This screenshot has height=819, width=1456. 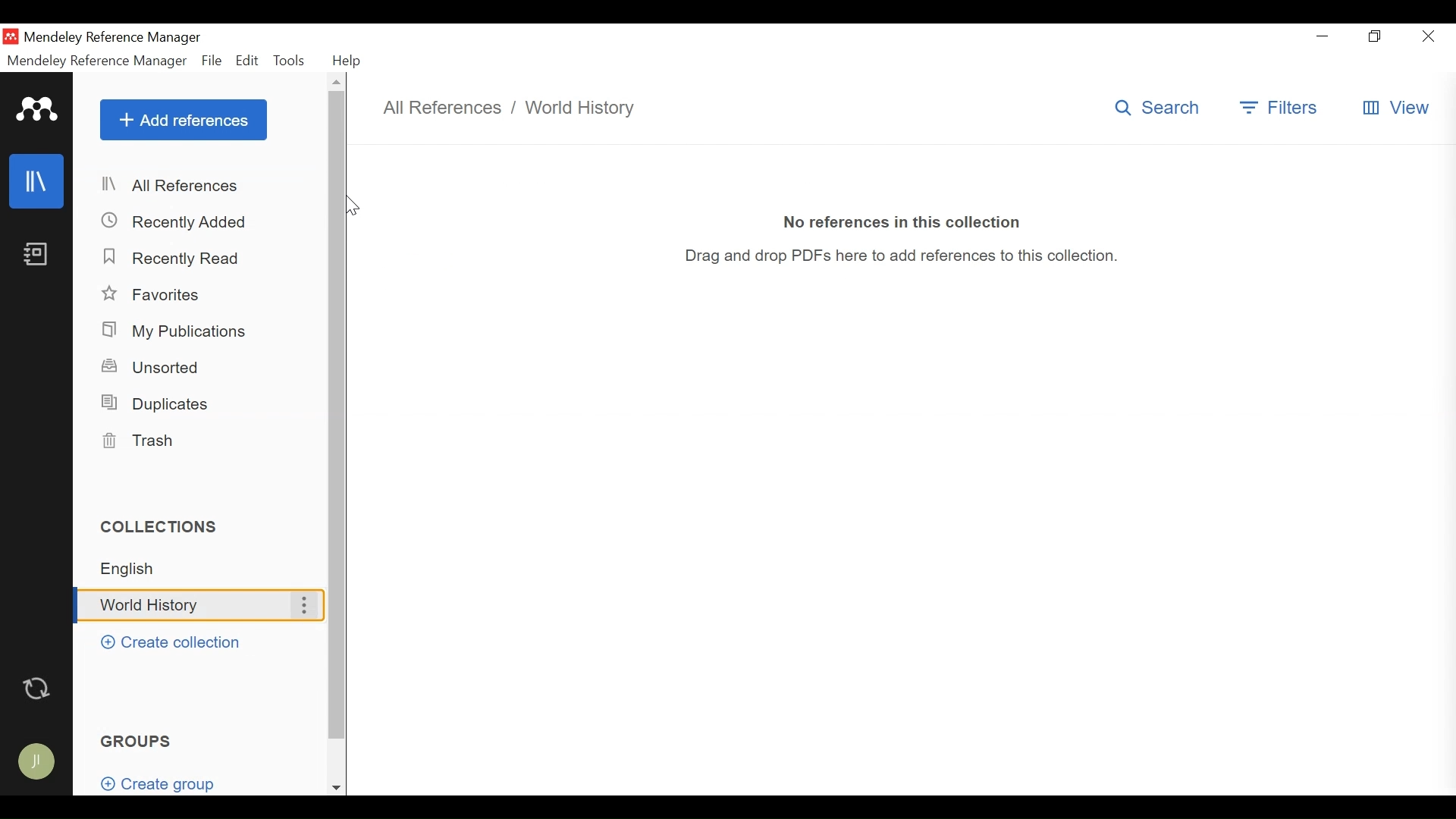 What do you see at coordinates (172, 256) in the screenshot?
I see `Recently Read` at bounding box center [172, 256].